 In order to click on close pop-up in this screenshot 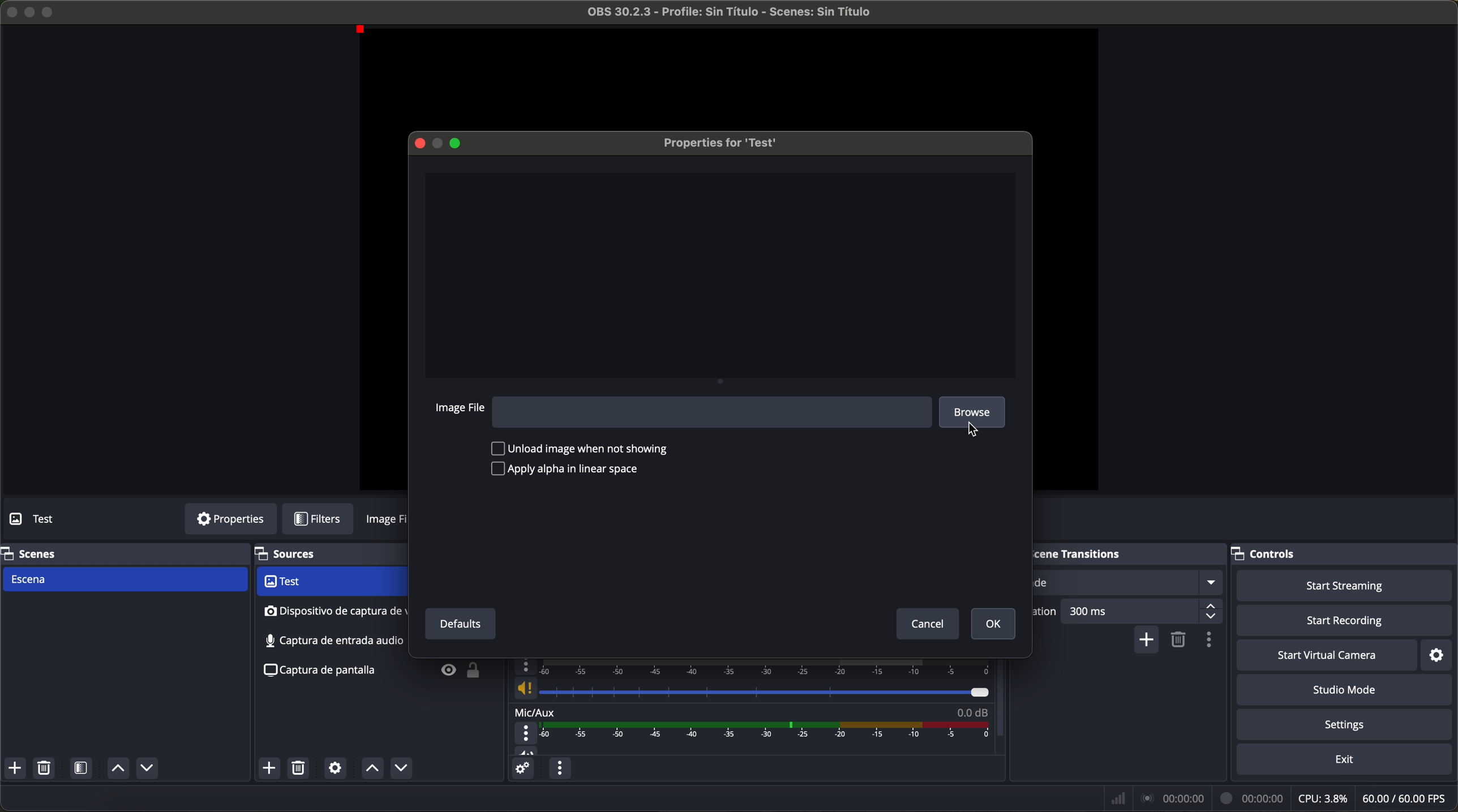, I will do `click(417, 141)`.